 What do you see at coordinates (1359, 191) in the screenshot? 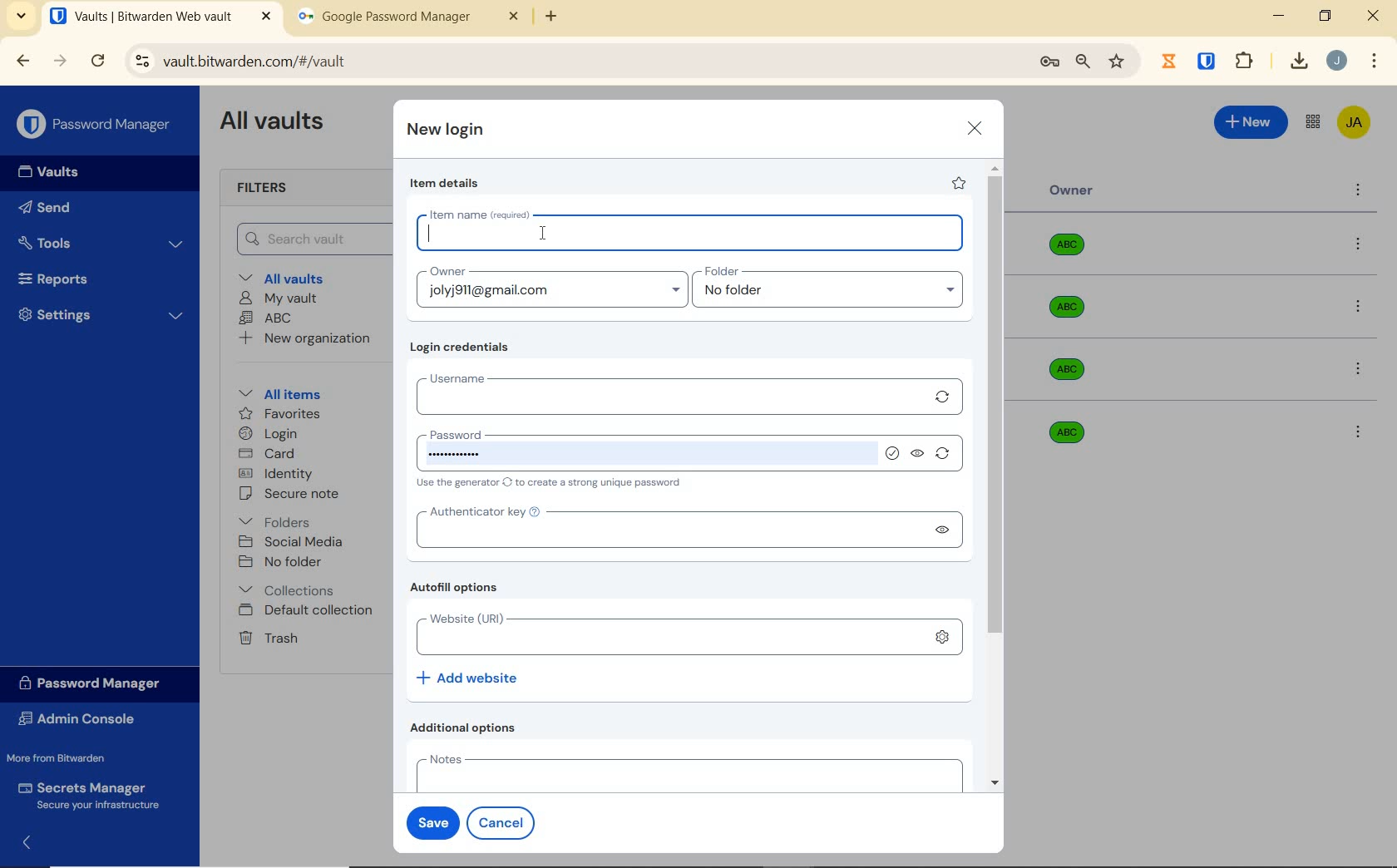
I see `more option` at bounding box center [1359, 191].